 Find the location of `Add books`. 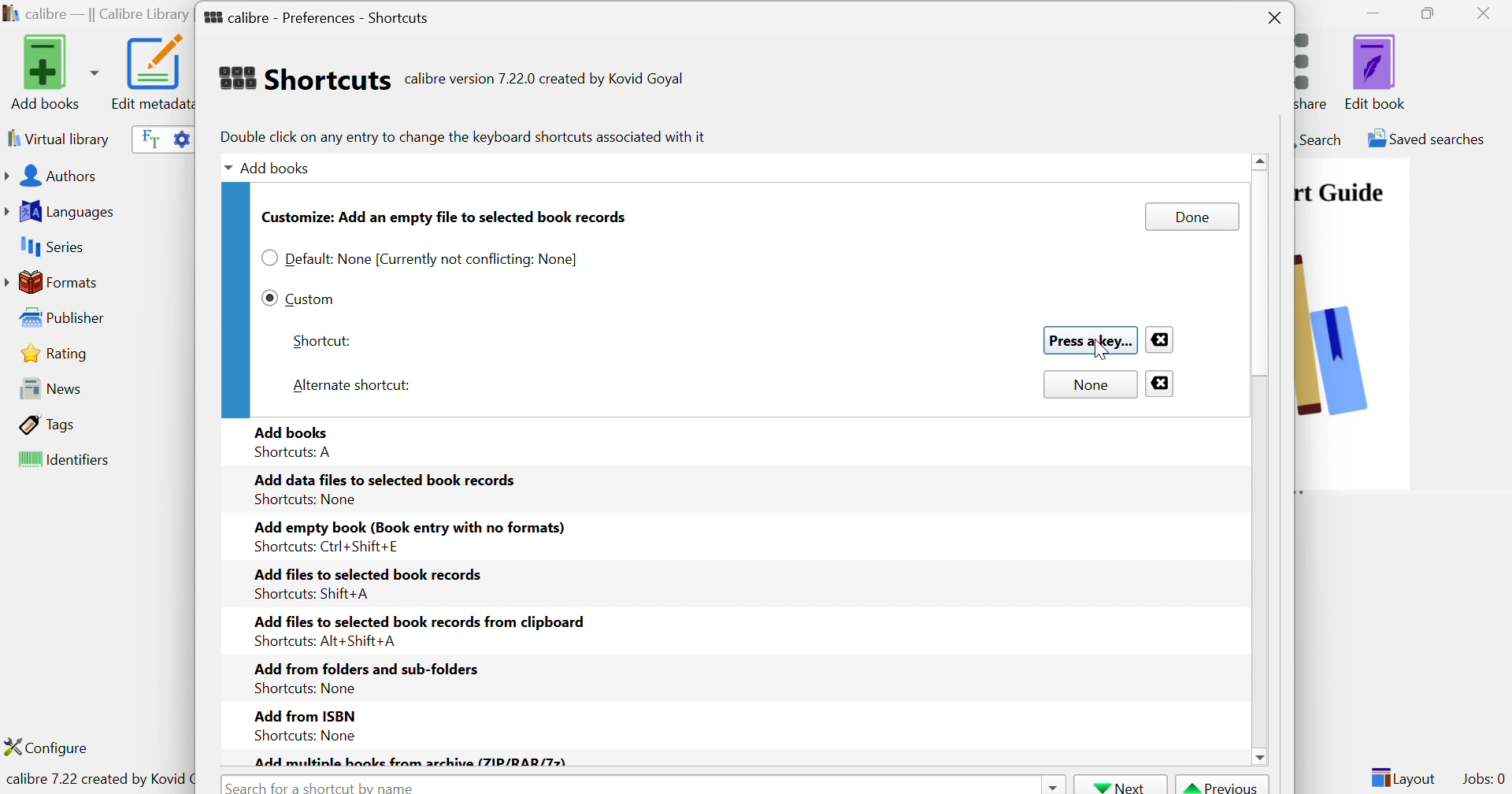

Add books is located at coordinates (279, 166).